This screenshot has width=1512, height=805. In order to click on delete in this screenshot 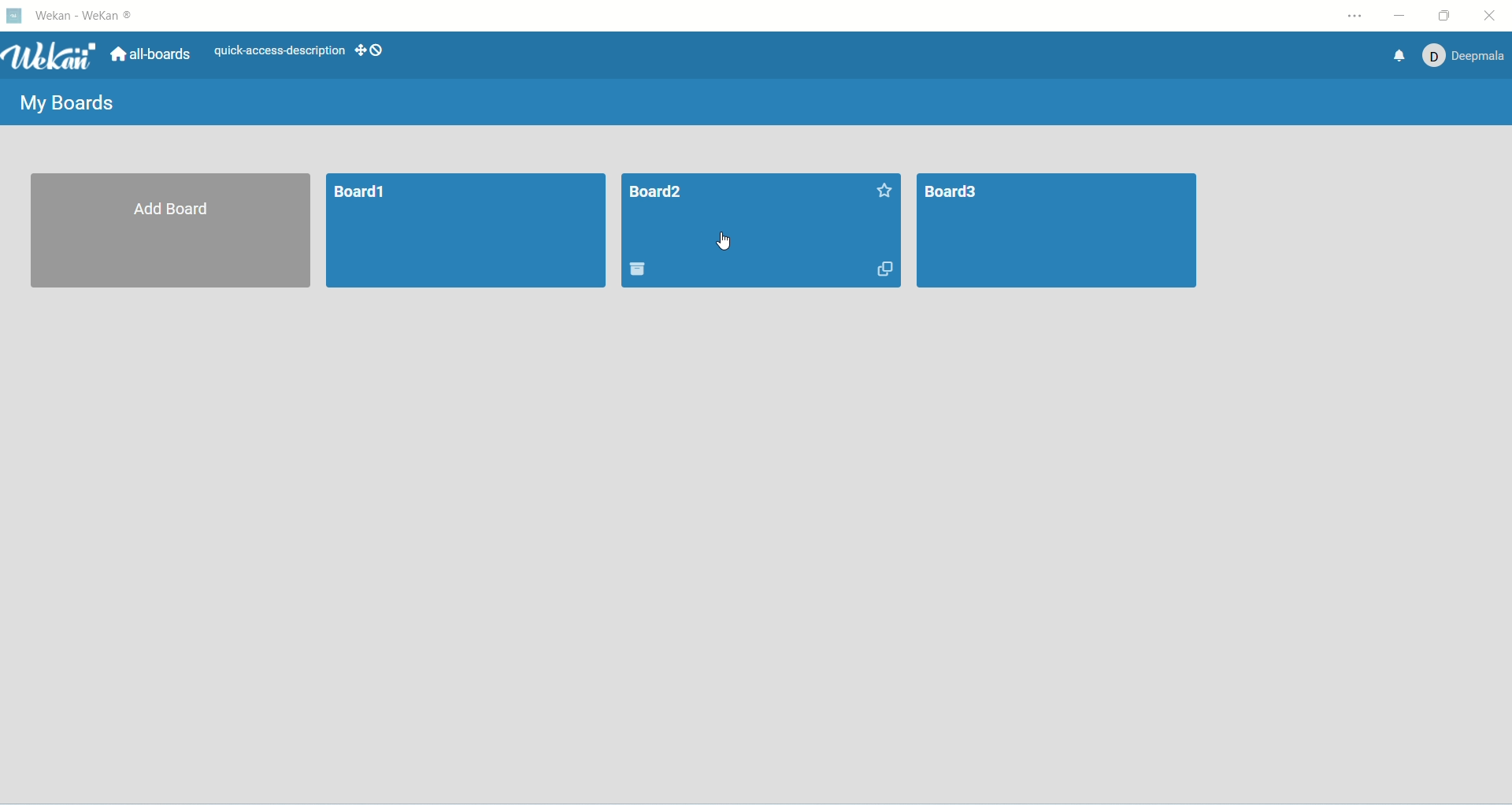, I will do `click(637, 268)`.